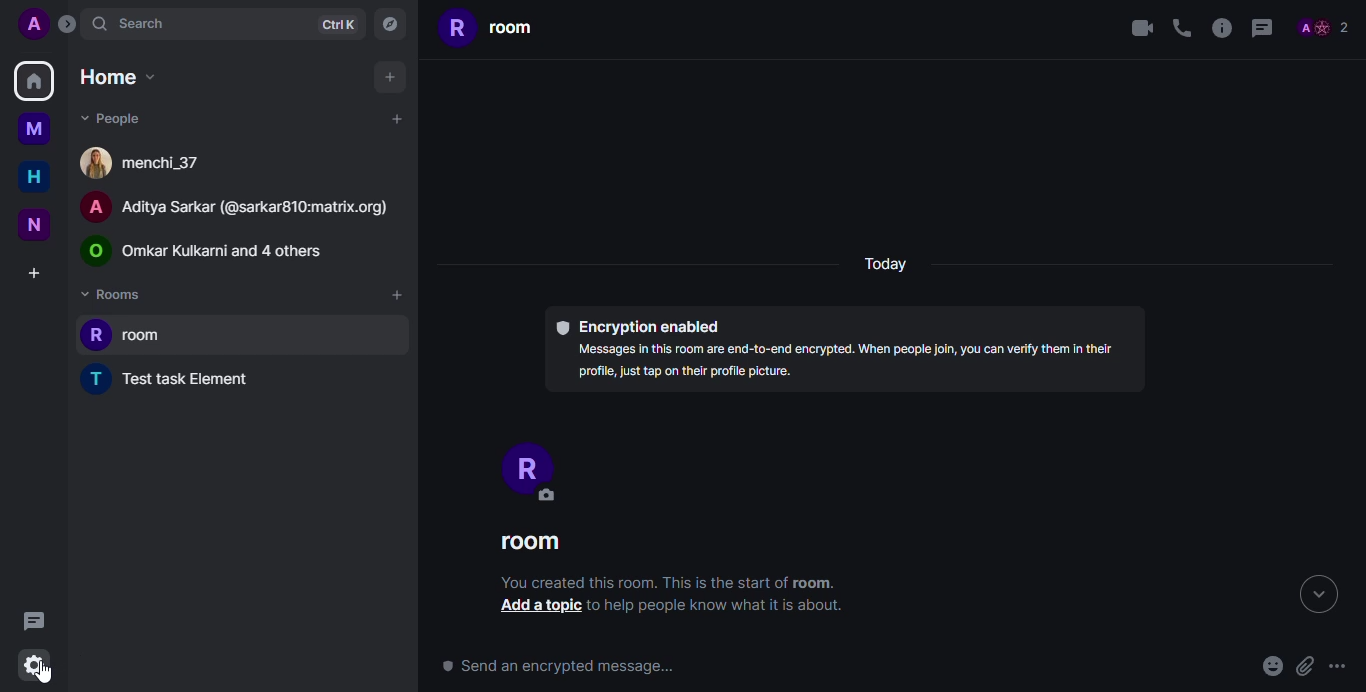 The image size is (1366, 692). Describe the element at coordinates (526, 469) in the screenshot. I see `profile` at that location.